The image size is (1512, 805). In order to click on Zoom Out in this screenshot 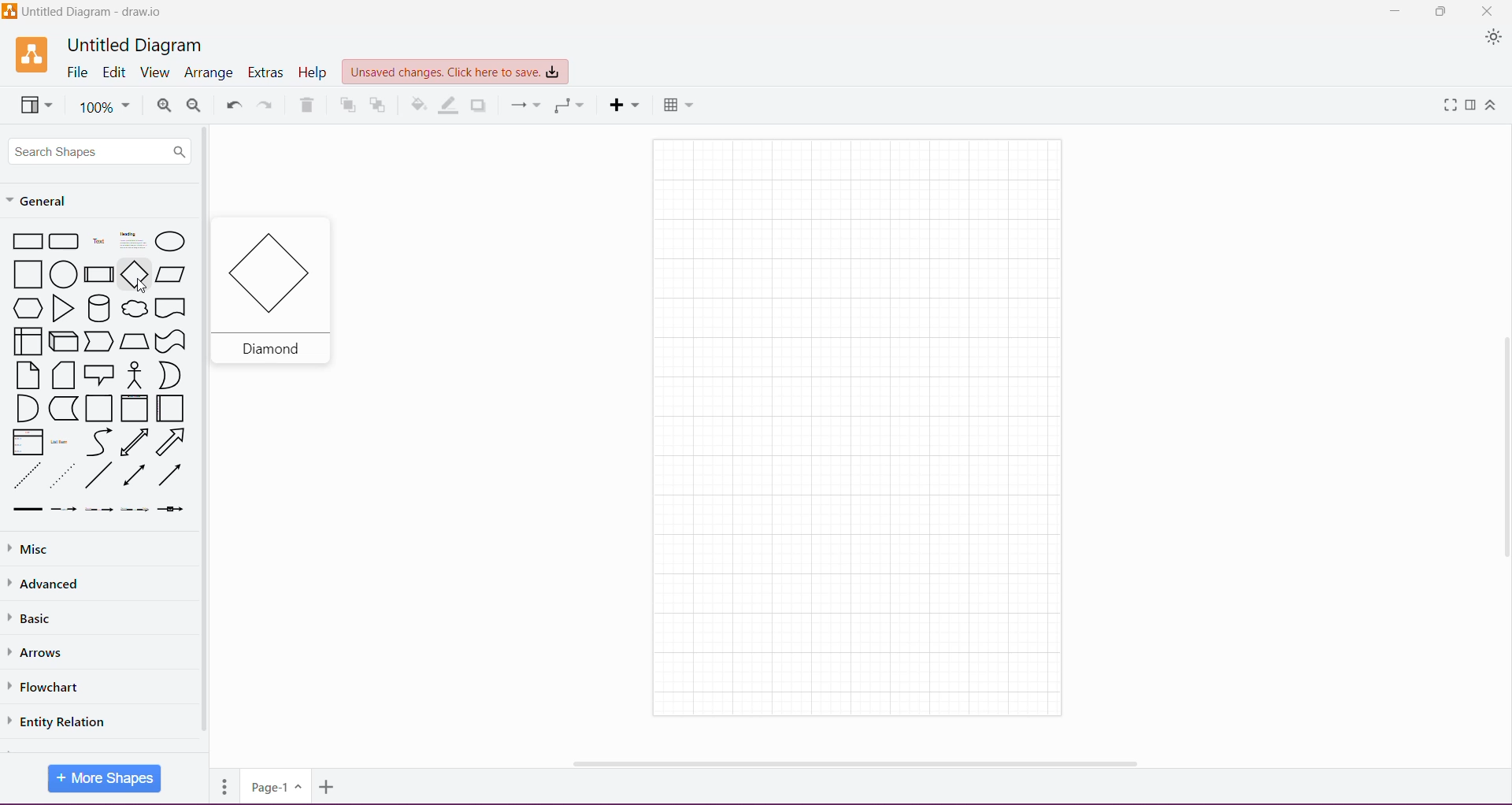, I will do `click(198, 106)`.